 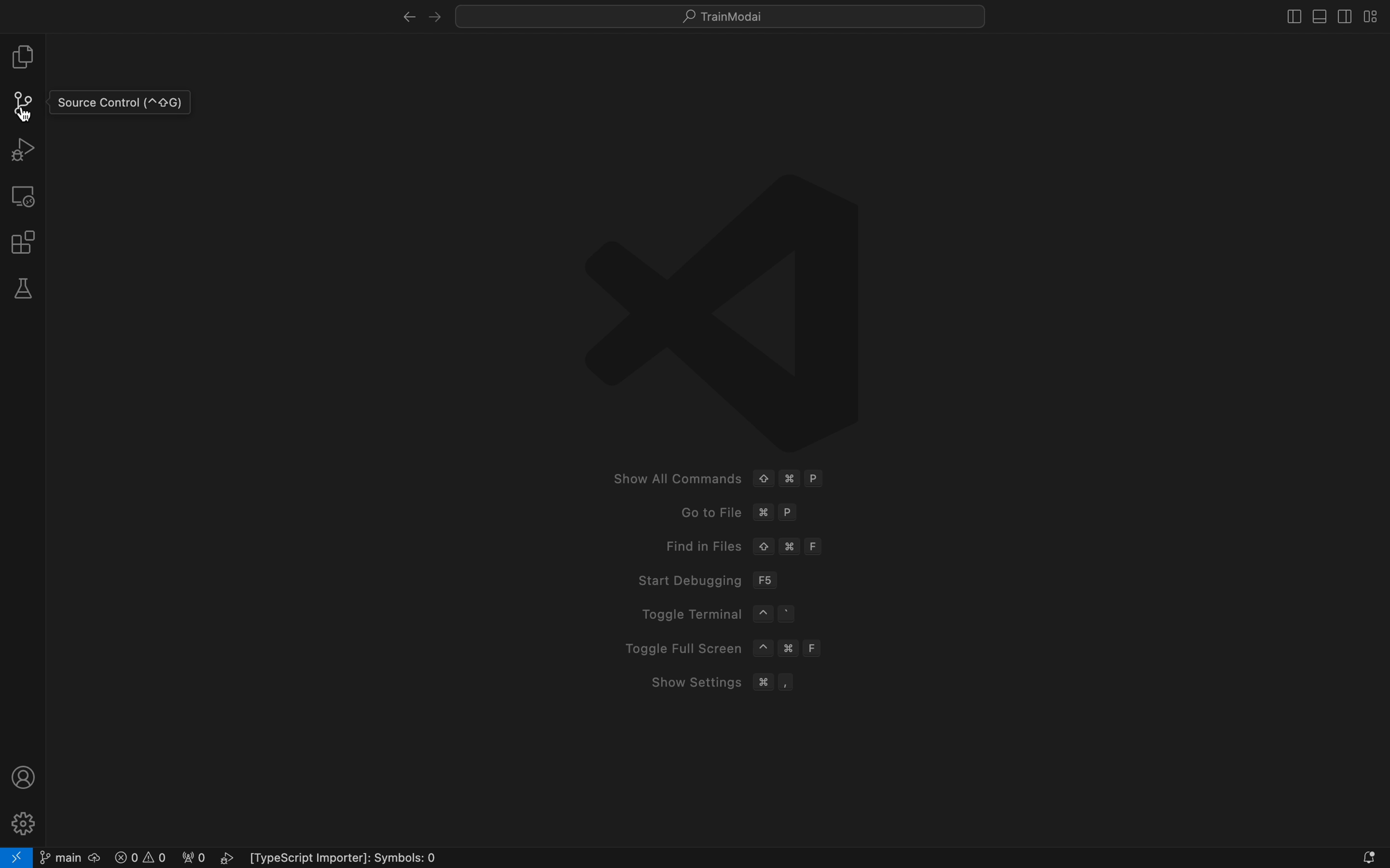 What do you see at coordinates (720, 17) in the screenshot?
I see `quick menus` at bounding box center [720, 17].